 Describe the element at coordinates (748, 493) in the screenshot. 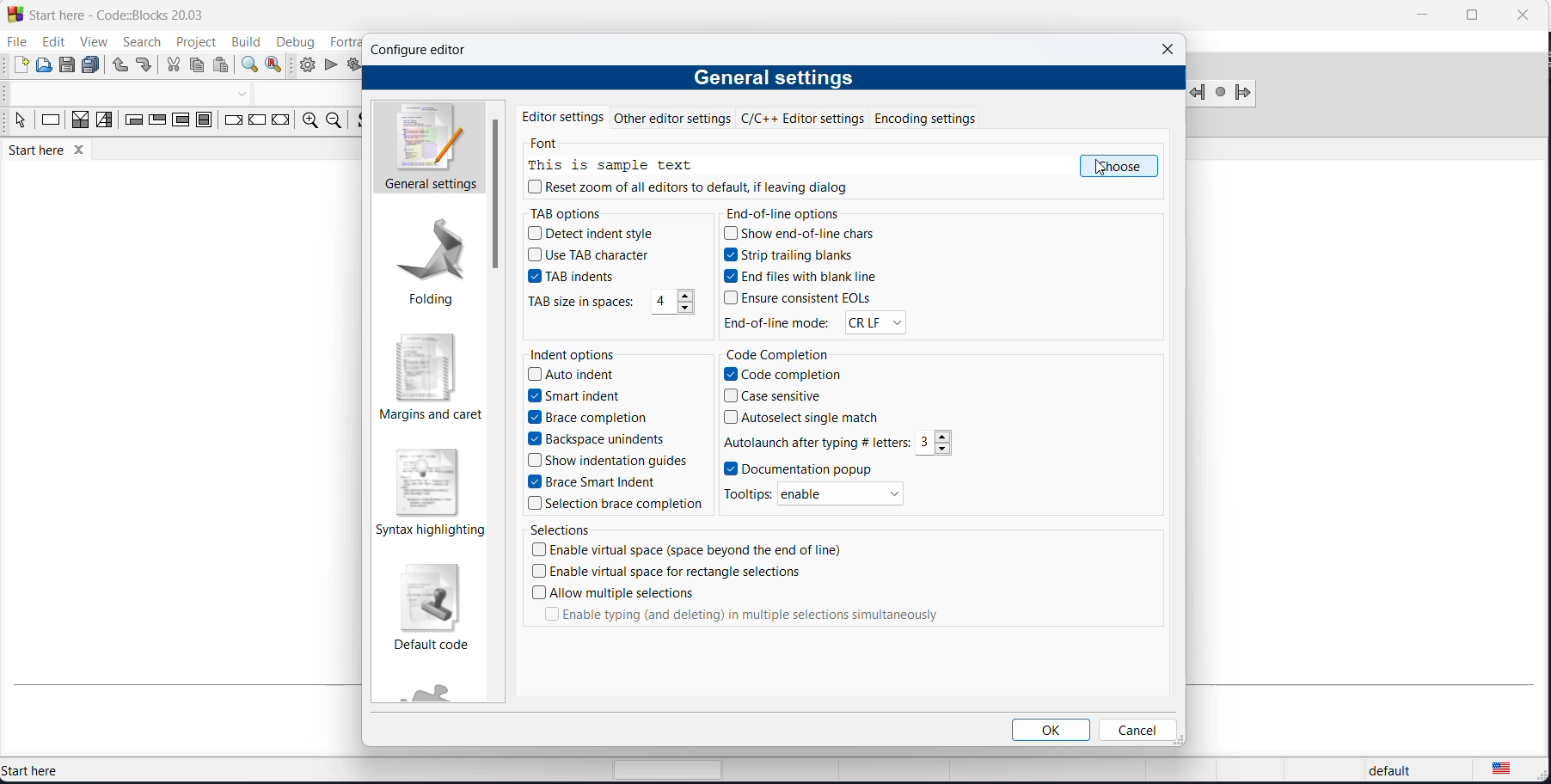

I see `tooltips` at that location.